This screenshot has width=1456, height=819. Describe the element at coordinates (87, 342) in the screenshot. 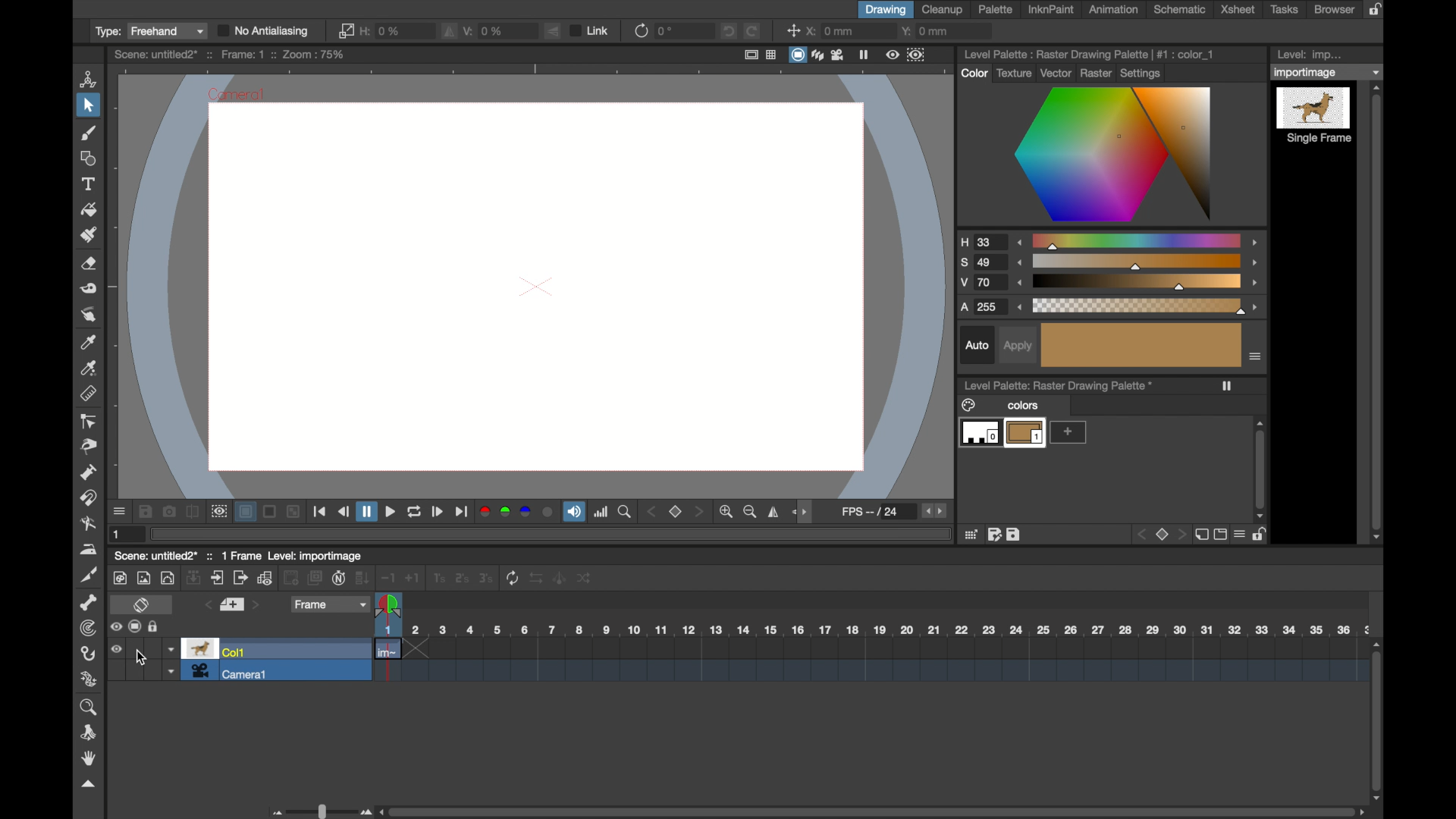

I see `color picker tool` at that location.